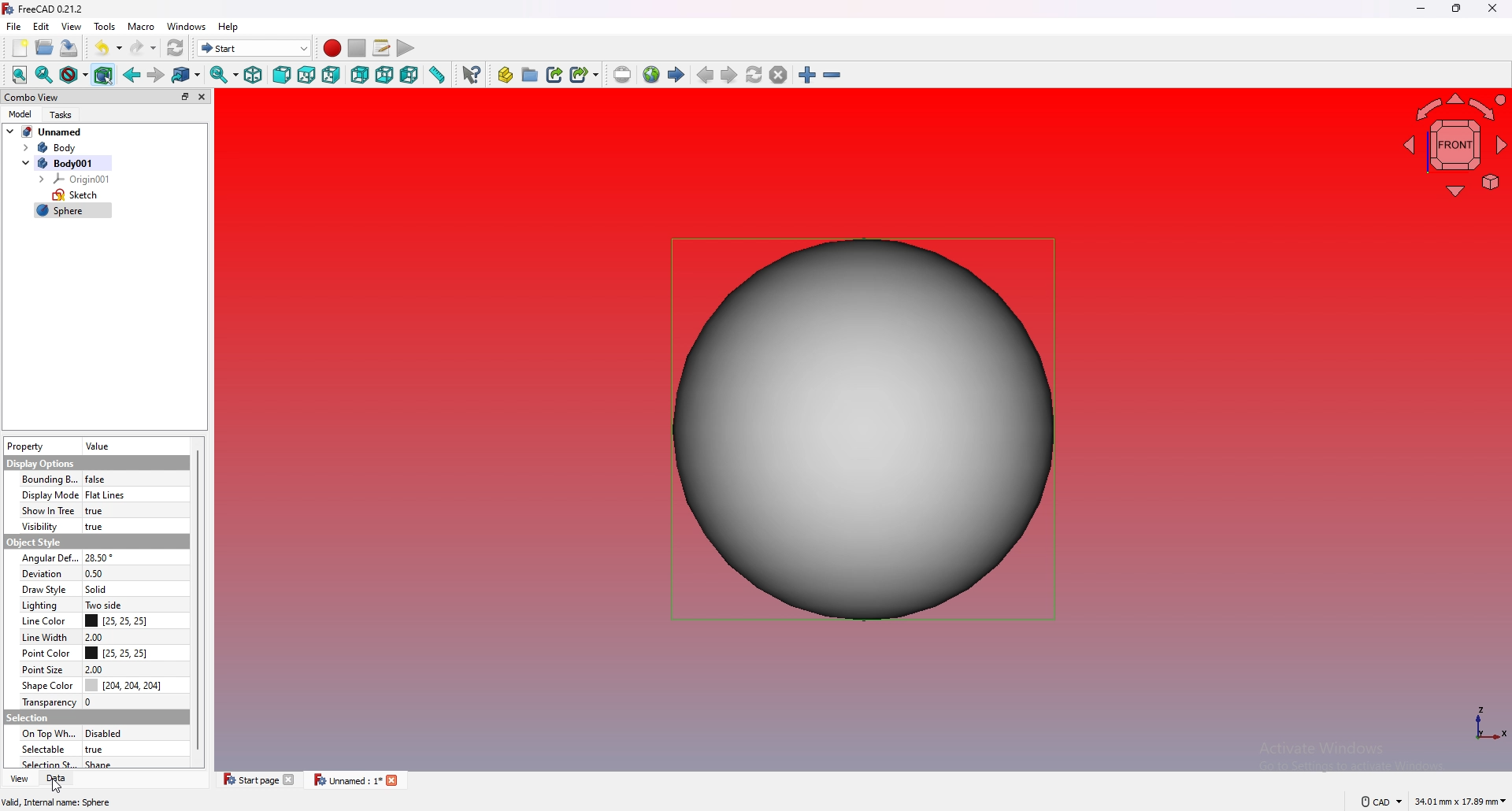 The image size is (1512, 811). I want to click on axis, so click(1489, 724).